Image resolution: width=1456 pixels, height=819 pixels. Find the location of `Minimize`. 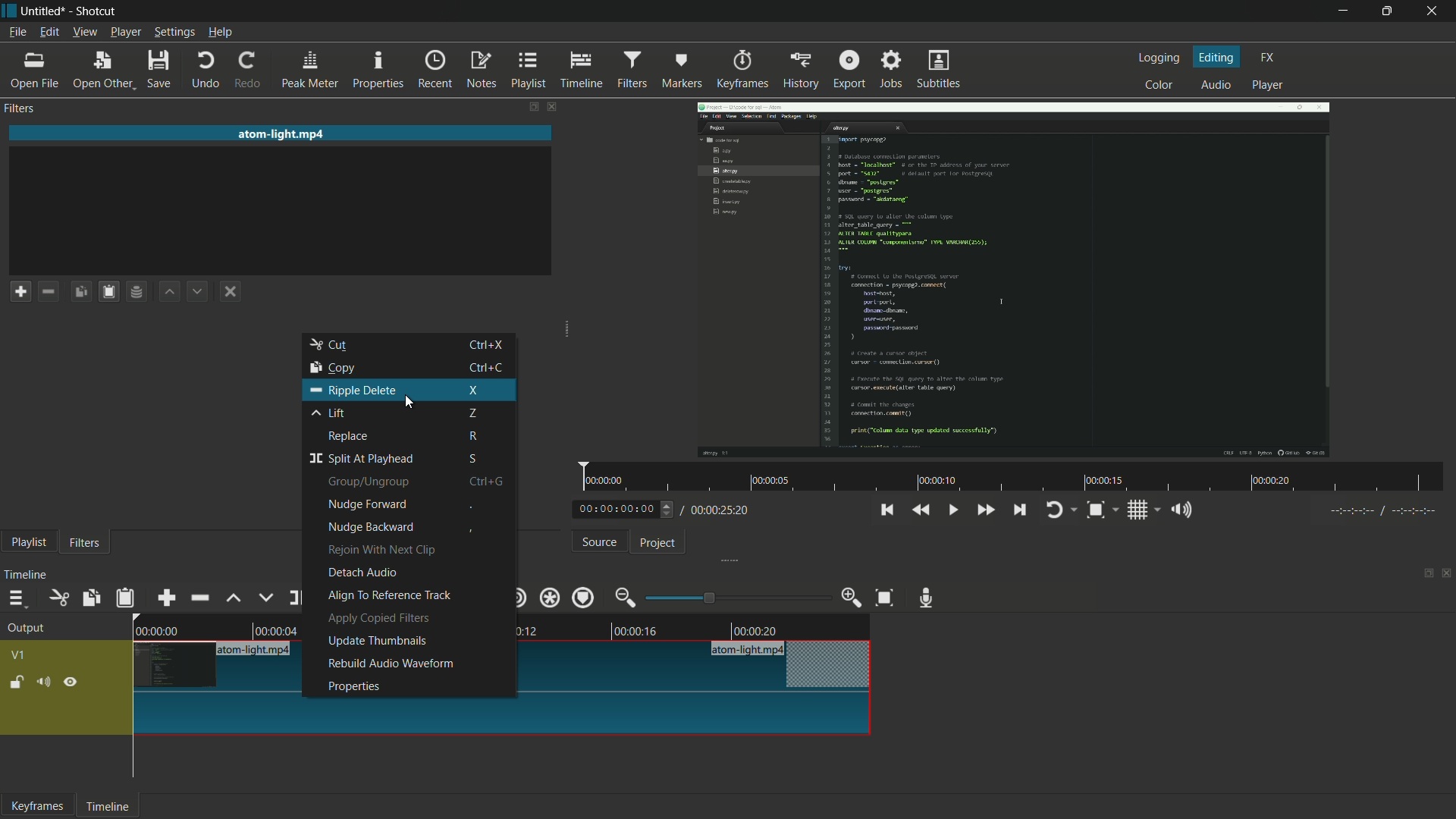

Minimize is located at coordinates (1332, 11).